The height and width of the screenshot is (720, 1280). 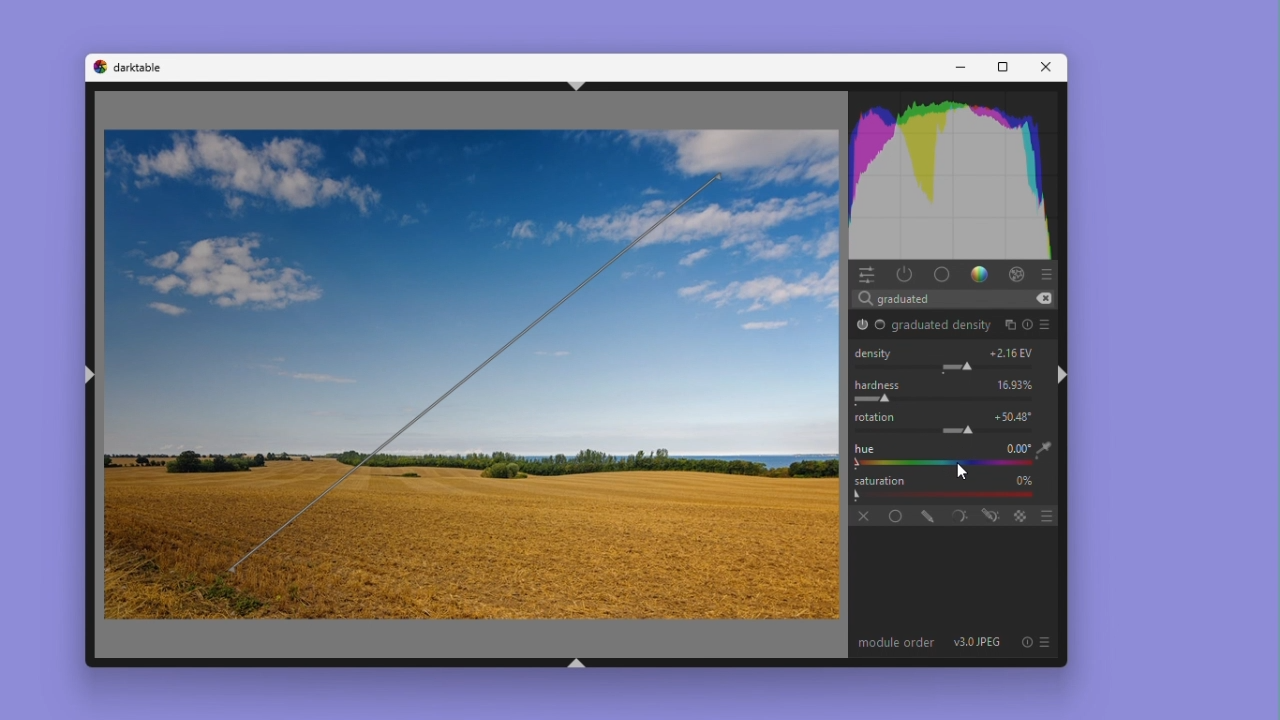 I want to click on preset, so click(x=1048, y=324).